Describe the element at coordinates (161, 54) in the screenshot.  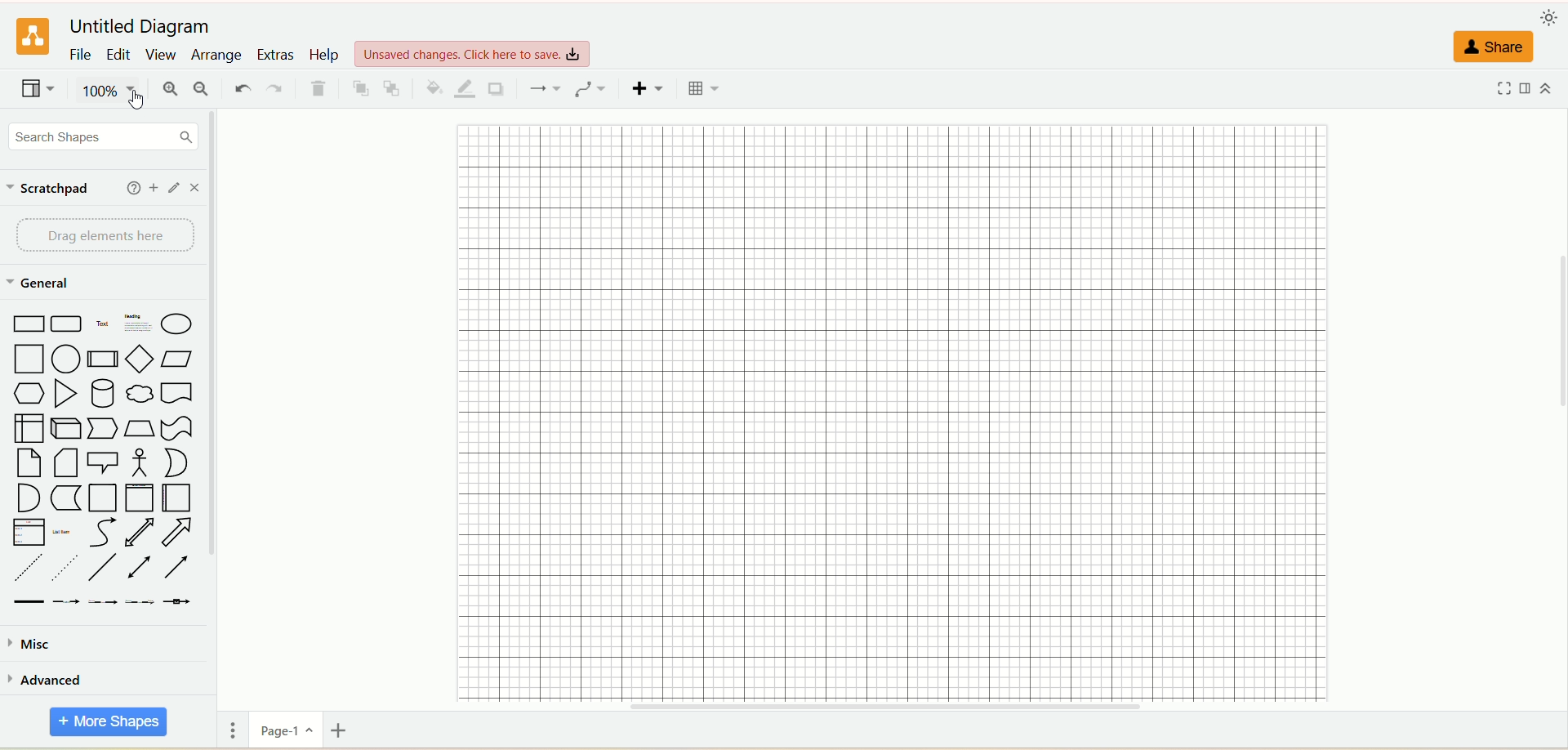
I see `view` at that location.